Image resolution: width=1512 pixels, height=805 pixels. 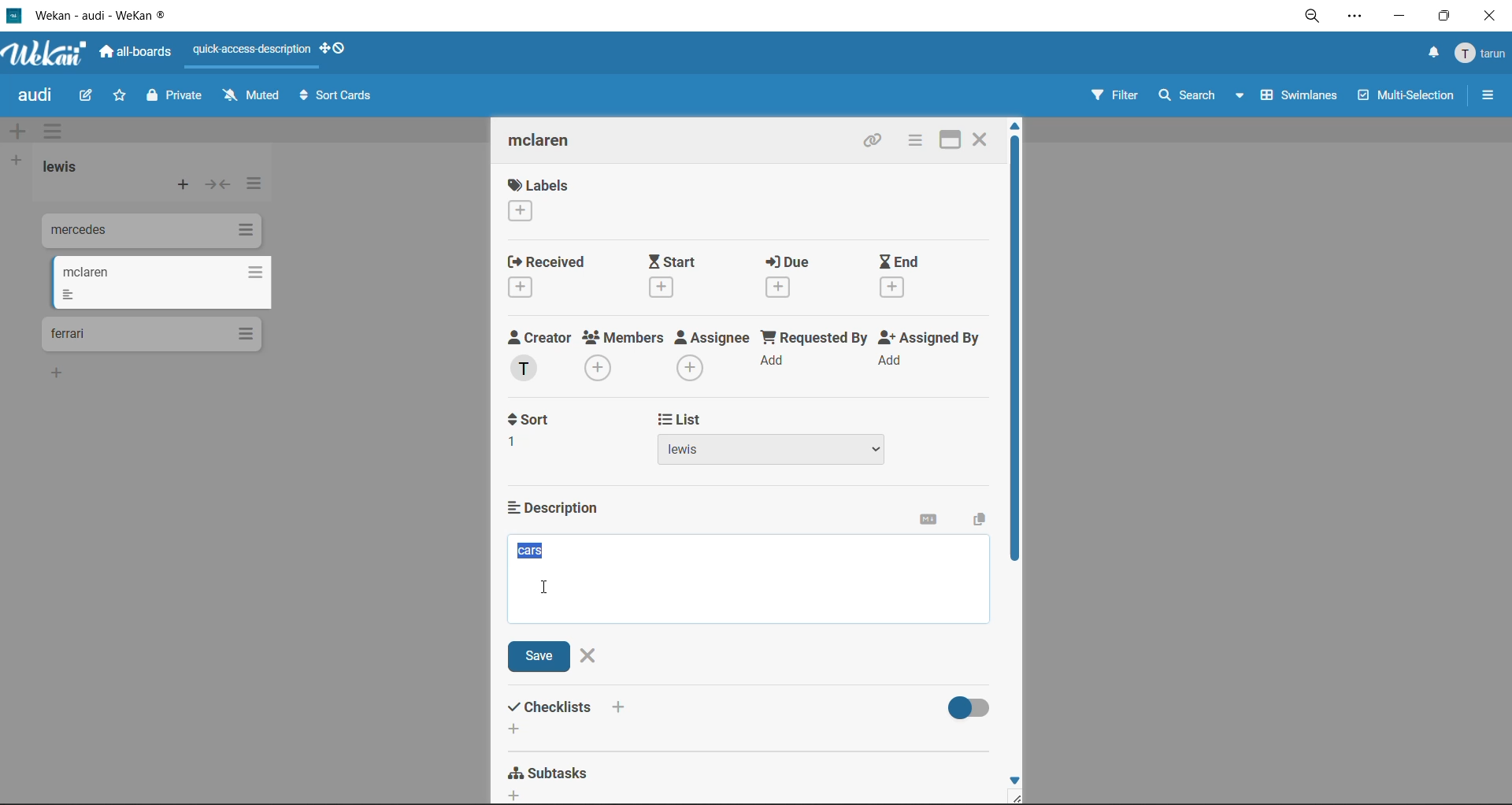 What do you see at coordinates (777, 440) in the screenshot?
I see `list` at bounding box center [777, 440].